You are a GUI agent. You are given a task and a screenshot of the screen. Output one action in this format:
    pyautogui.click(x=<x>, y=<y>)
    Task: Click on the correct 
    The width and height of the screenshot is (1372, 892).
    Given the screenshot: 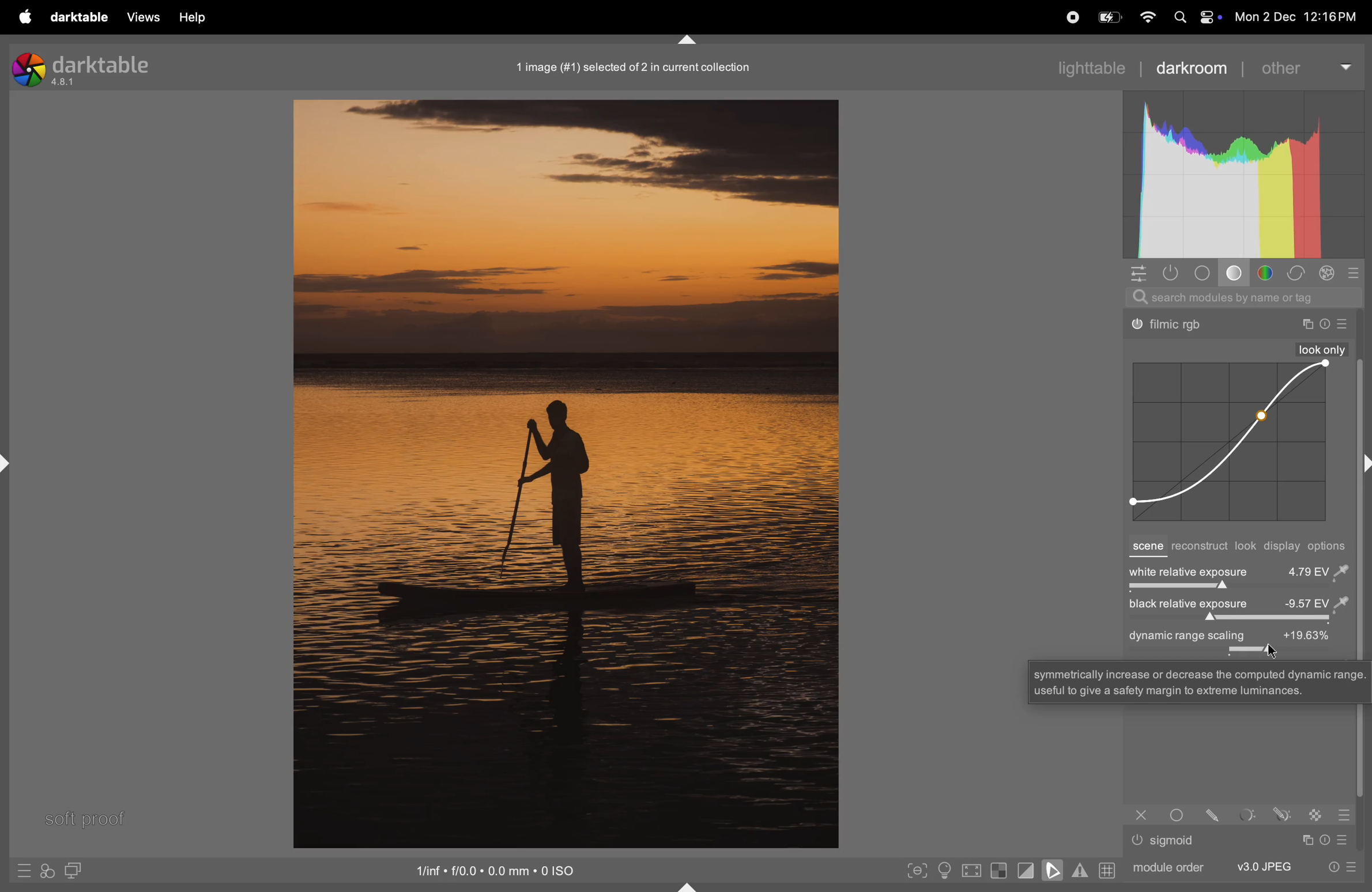 What is the action you would take?
    pyautogui.click(x=1296, y=274)
    